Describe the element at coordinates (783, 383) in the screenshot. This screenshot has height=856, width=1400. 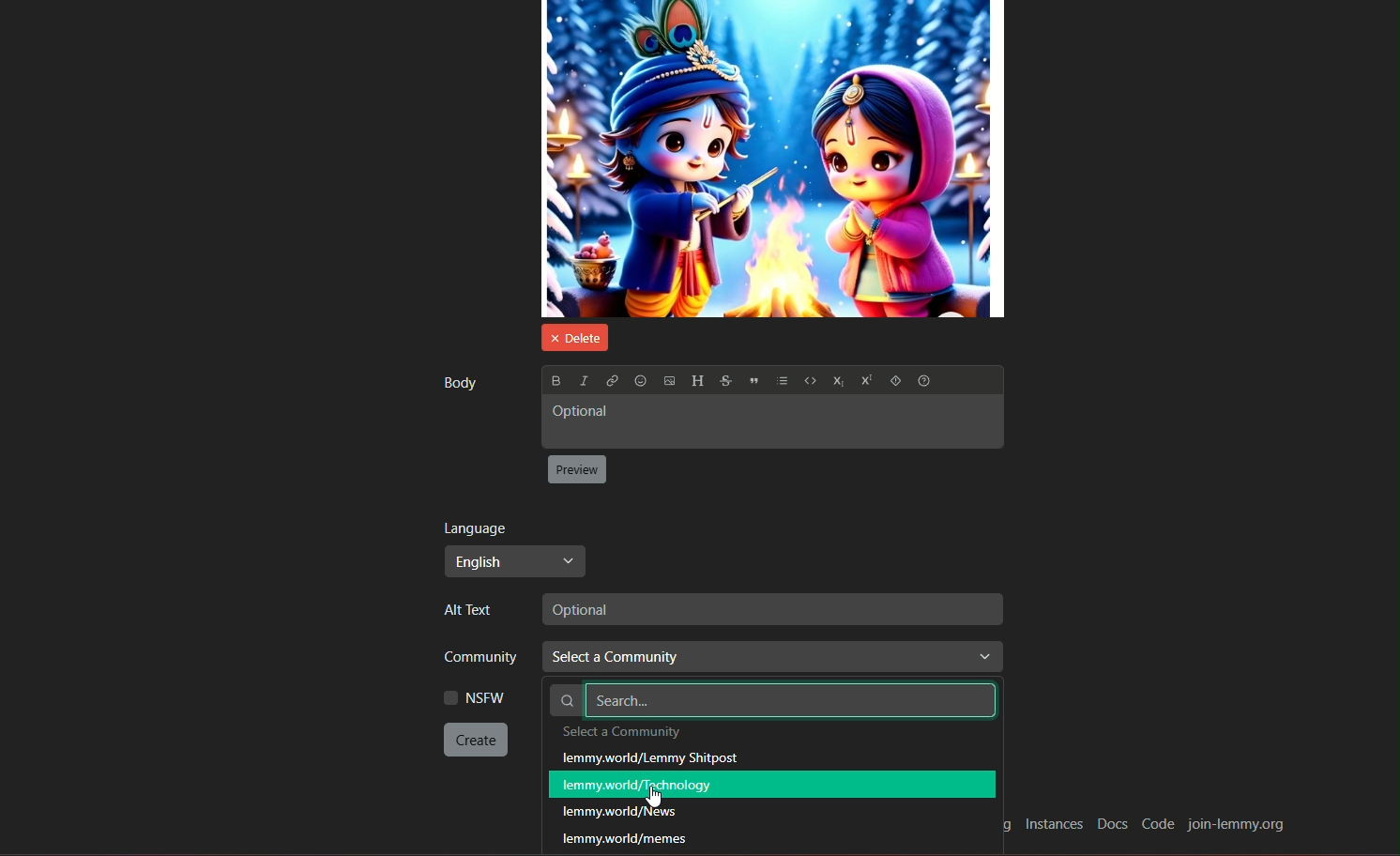
I see `list` at that location.